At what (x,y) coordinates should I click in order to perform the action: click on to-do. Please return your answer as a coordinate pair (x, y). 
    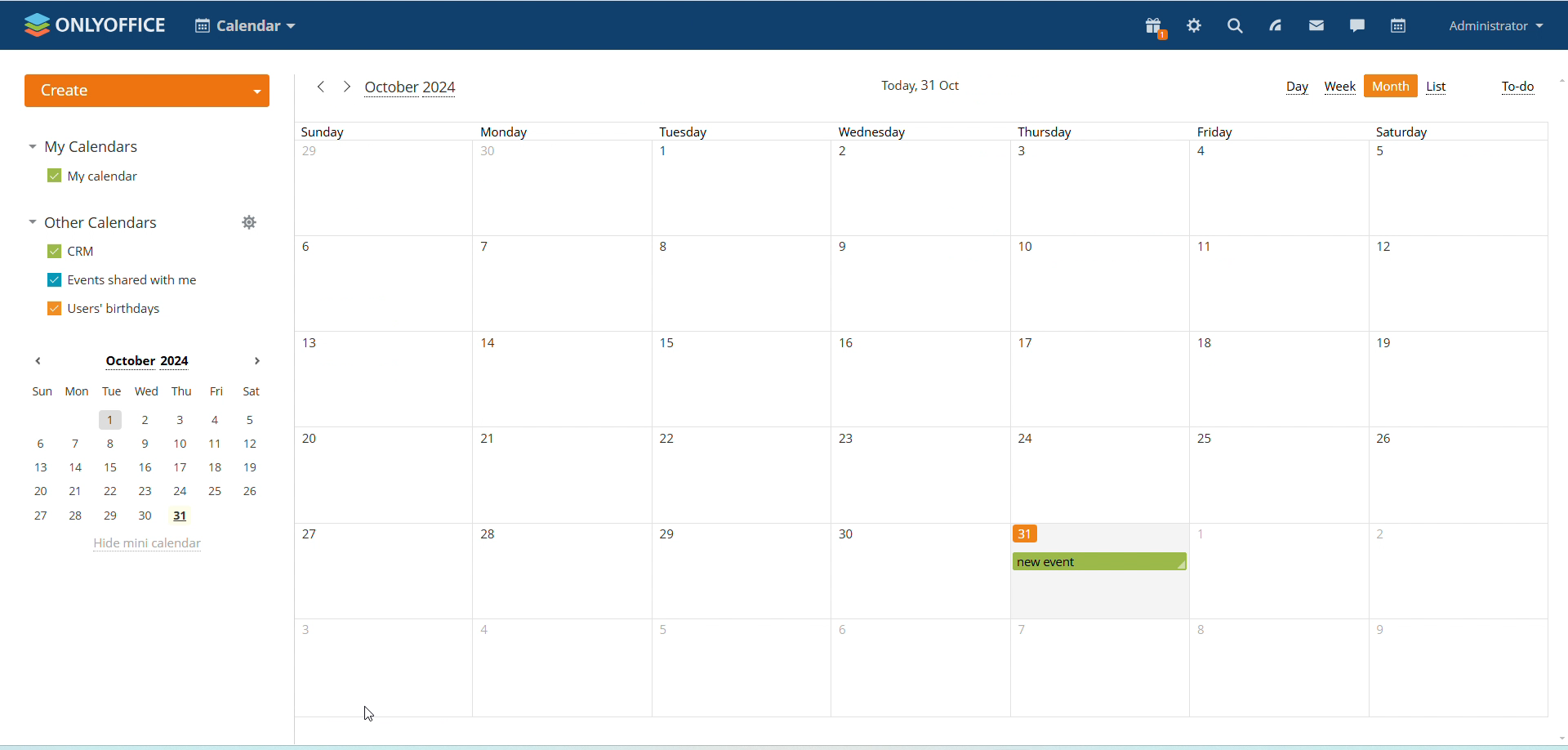
    Looking at the image, I should click on (1518, 87).